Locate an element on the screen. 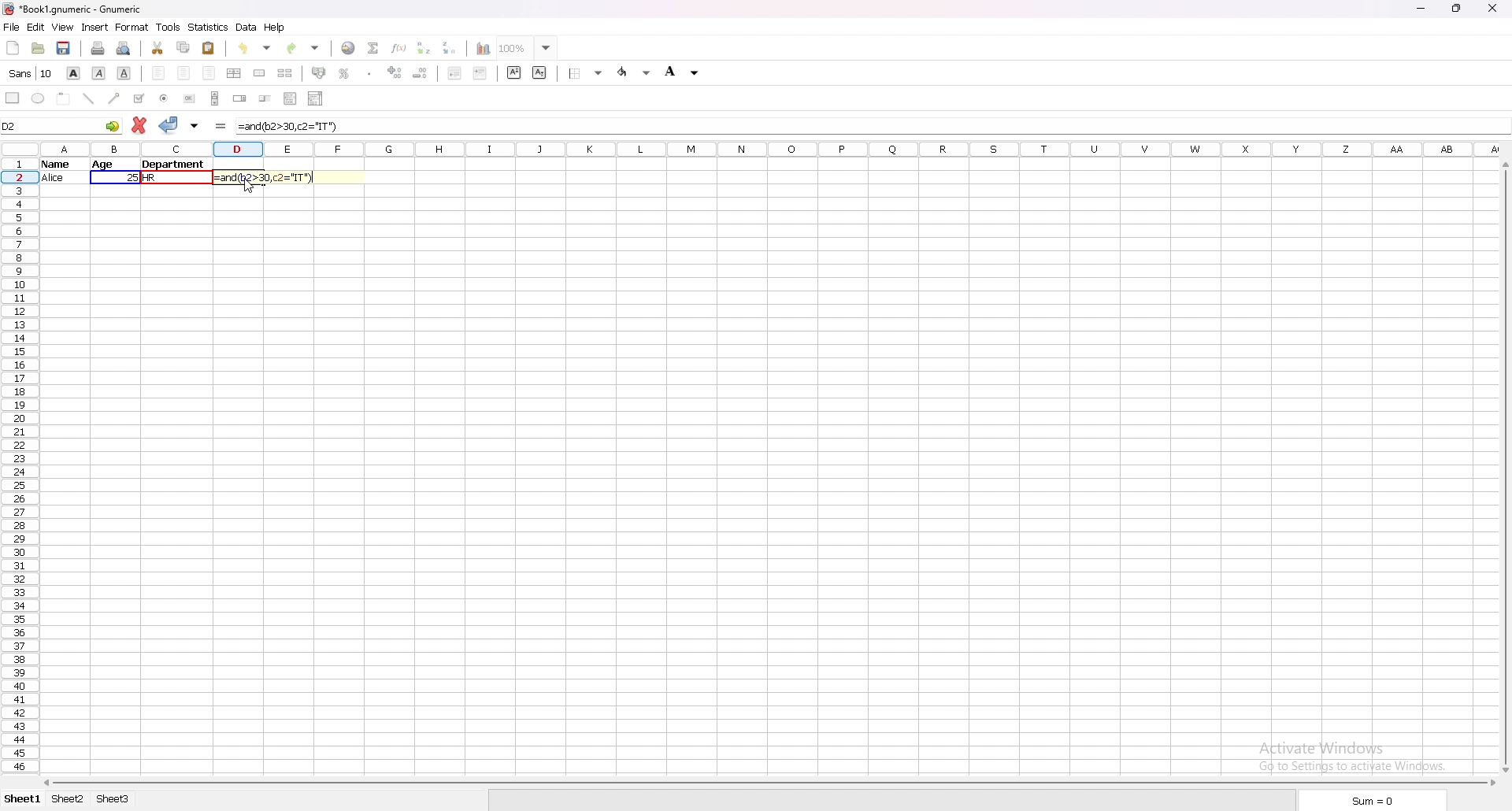 The height and width of the screenshot is (811, 1512). accept changes is located at coordinates (169, 124).